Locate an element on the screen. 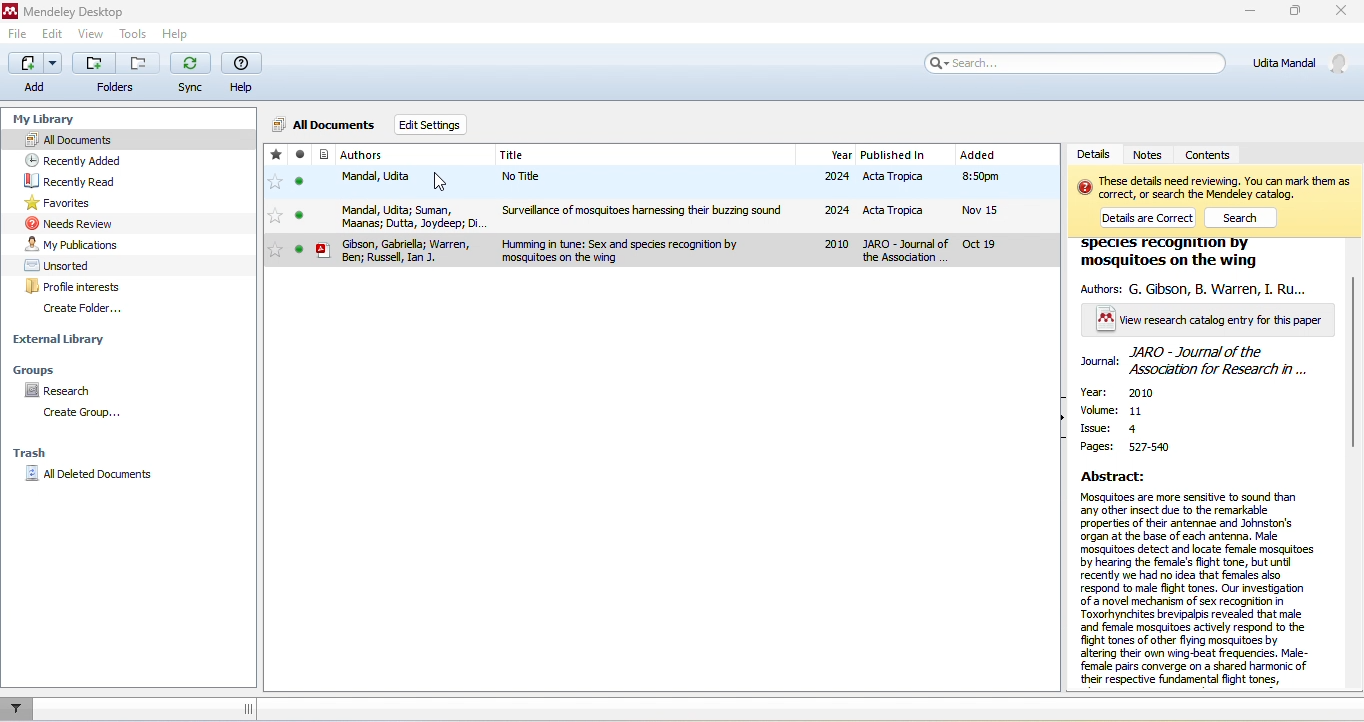  favorites toggle is located at coordinates (275, 250).